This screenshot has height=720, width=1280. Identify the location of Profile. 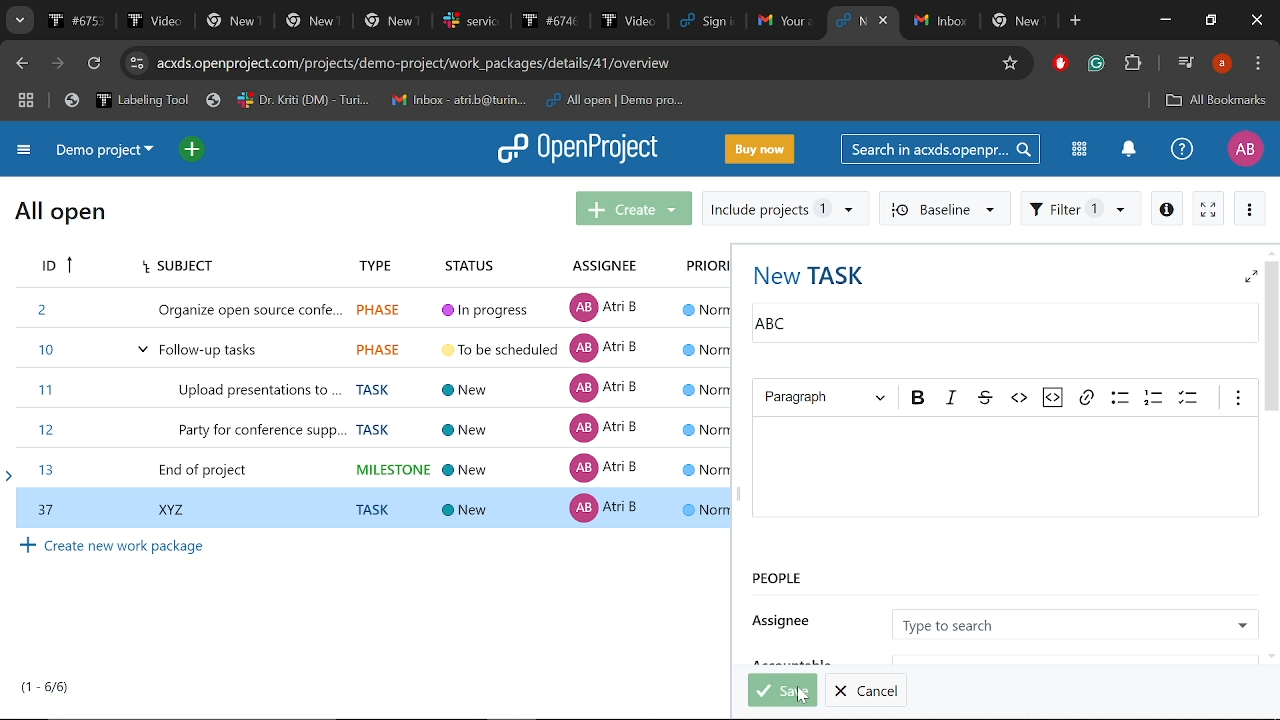
(1245, 149).